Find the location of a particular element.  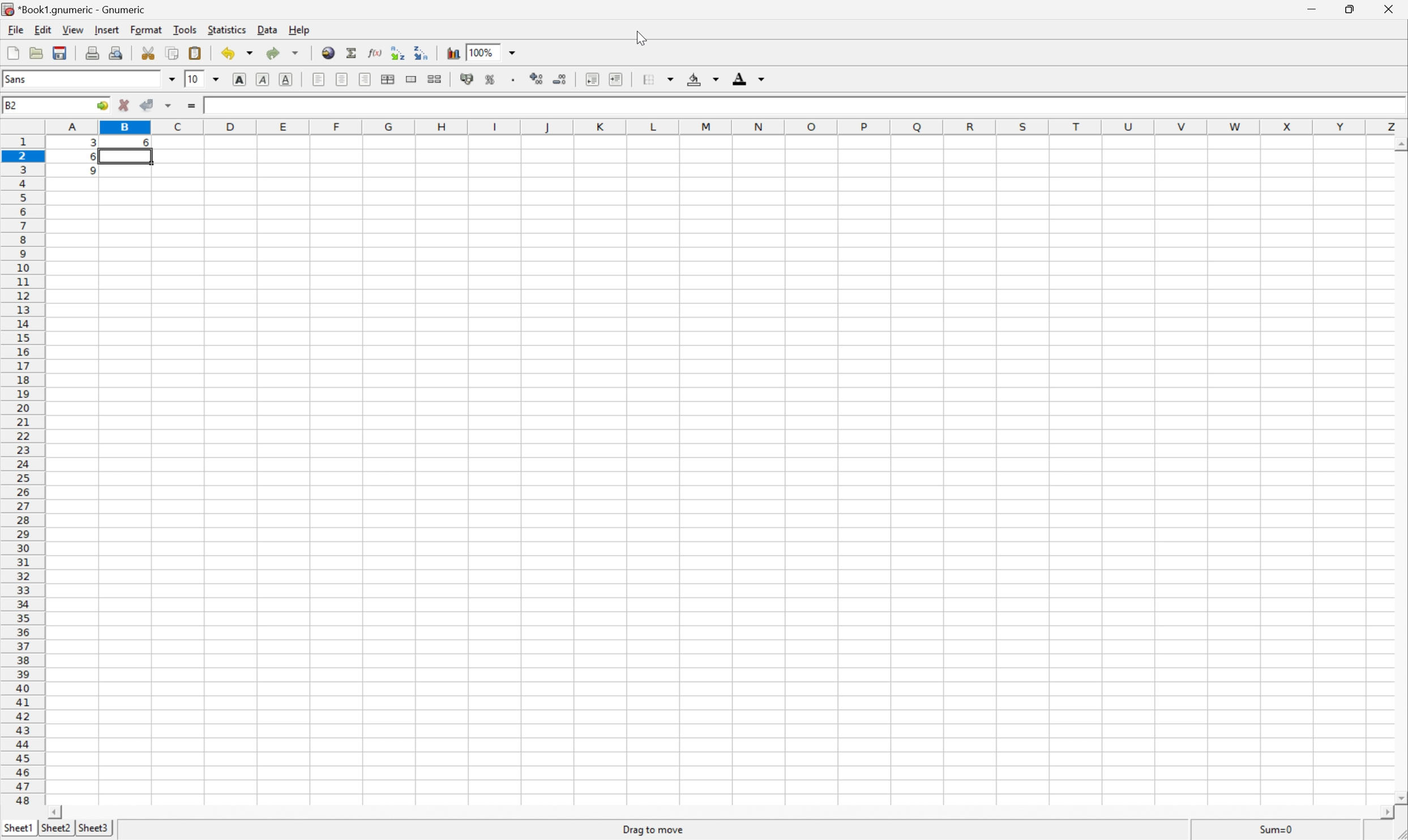

Help is located at coordinates (299, 29).